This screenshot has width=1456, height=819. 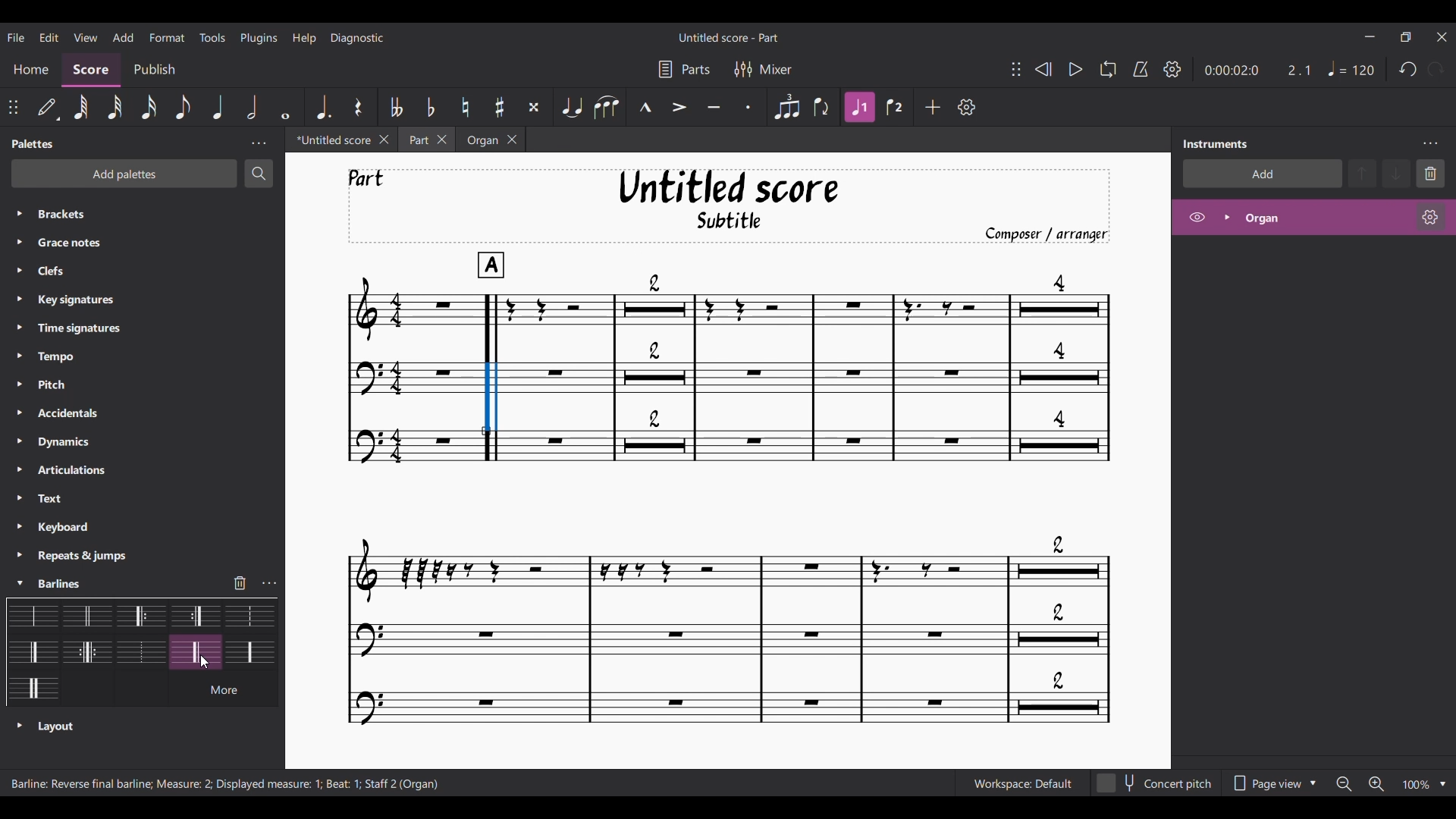 I want to click on Toggle double sharp, so click(x=534, y=107).